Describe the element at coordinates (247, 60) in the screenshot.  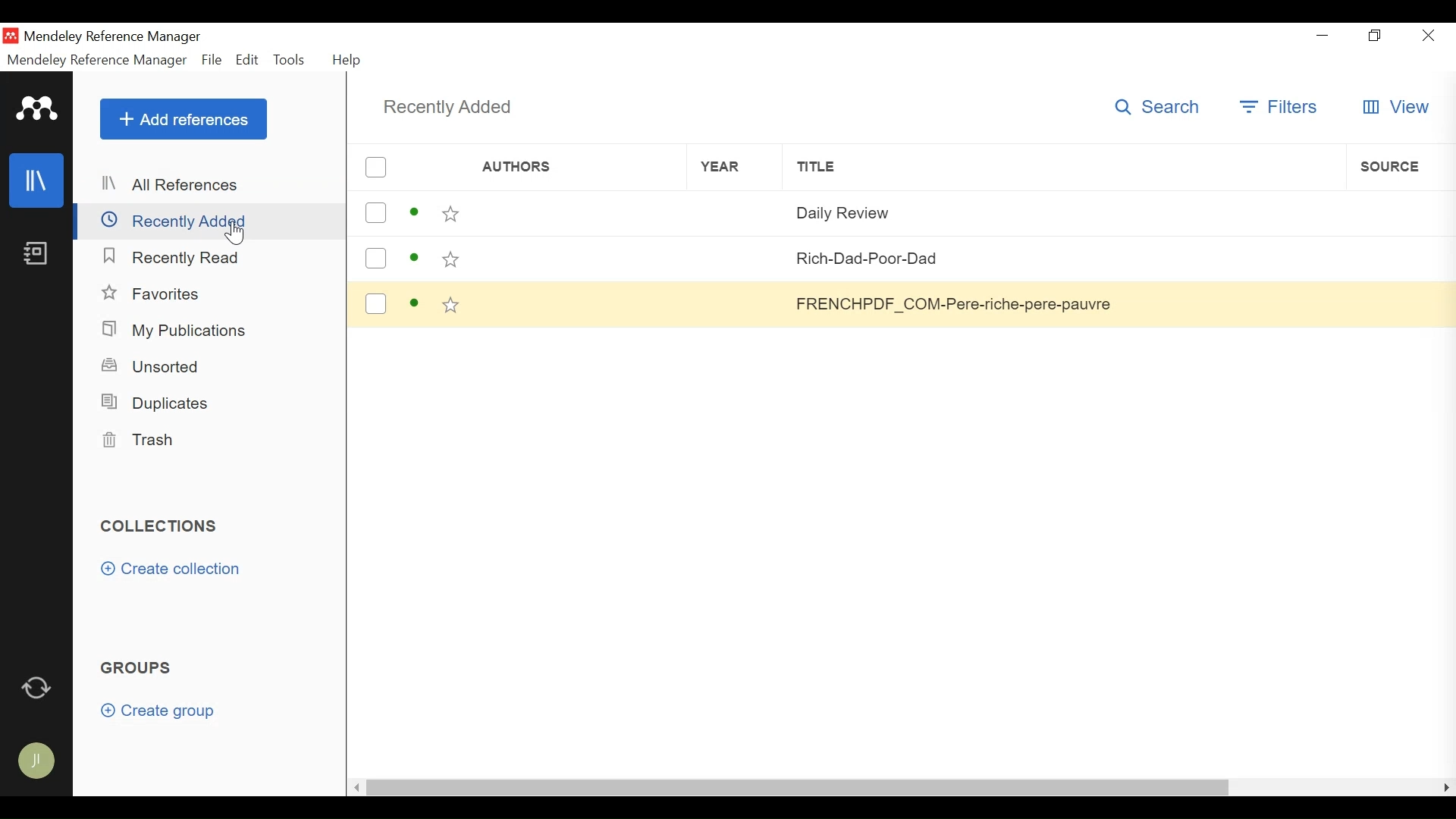
I see `Edit` at that location.